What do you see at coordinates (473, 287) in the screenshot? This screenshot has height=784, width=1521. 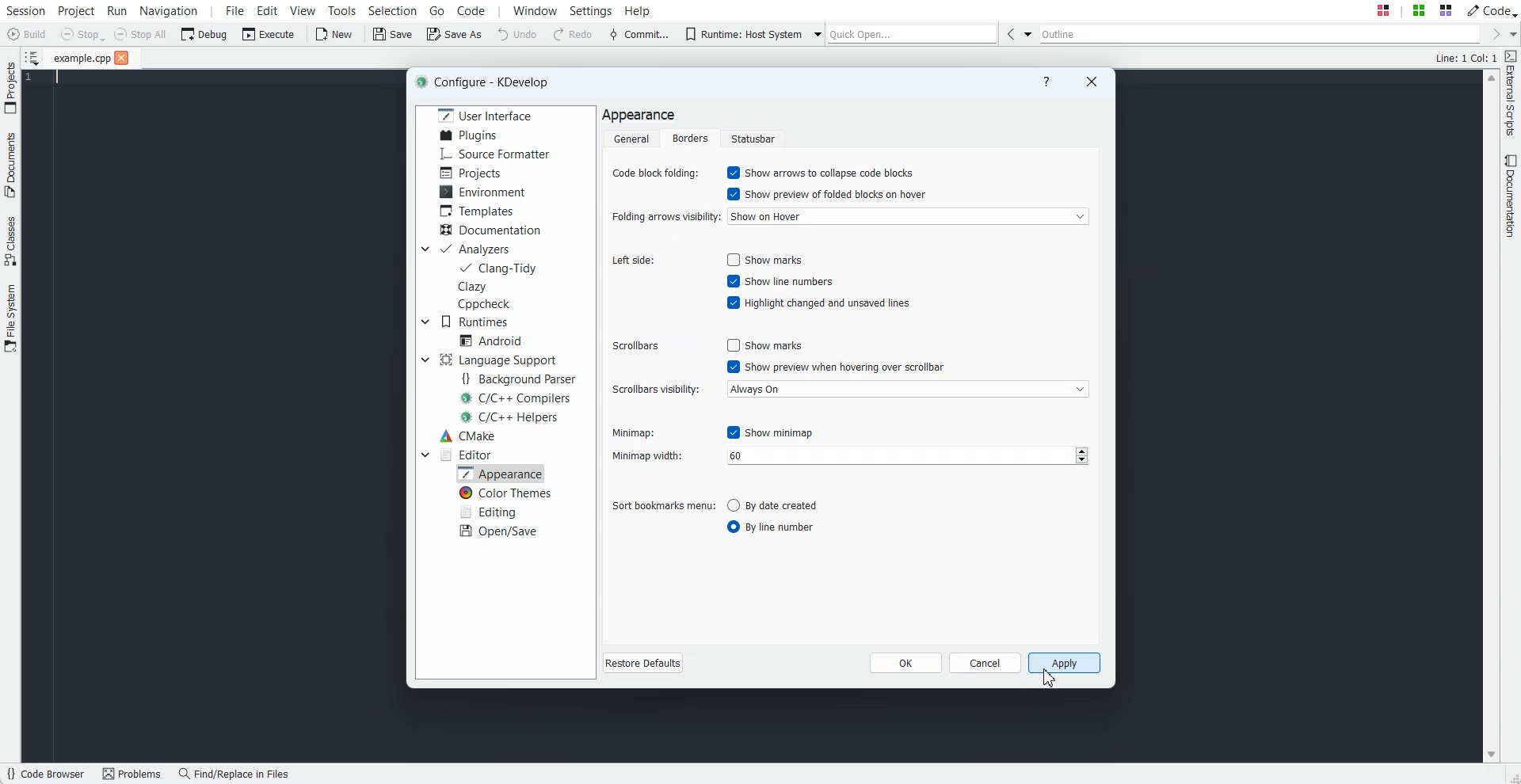 I see `Clazy` at bounding box center [473, 287].